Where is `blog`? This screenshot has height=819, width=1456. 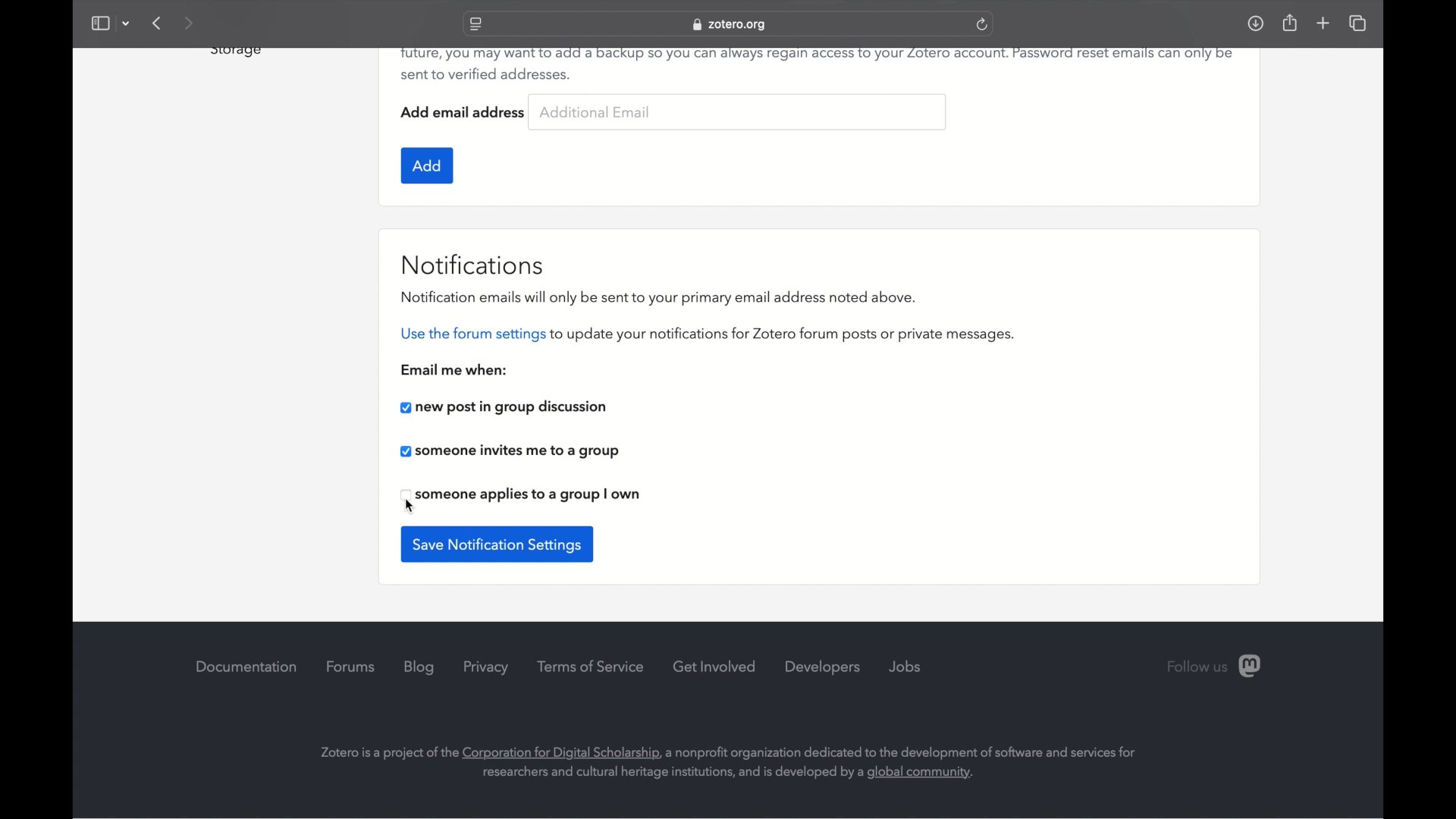
blog is located at coordinates (422, 667).